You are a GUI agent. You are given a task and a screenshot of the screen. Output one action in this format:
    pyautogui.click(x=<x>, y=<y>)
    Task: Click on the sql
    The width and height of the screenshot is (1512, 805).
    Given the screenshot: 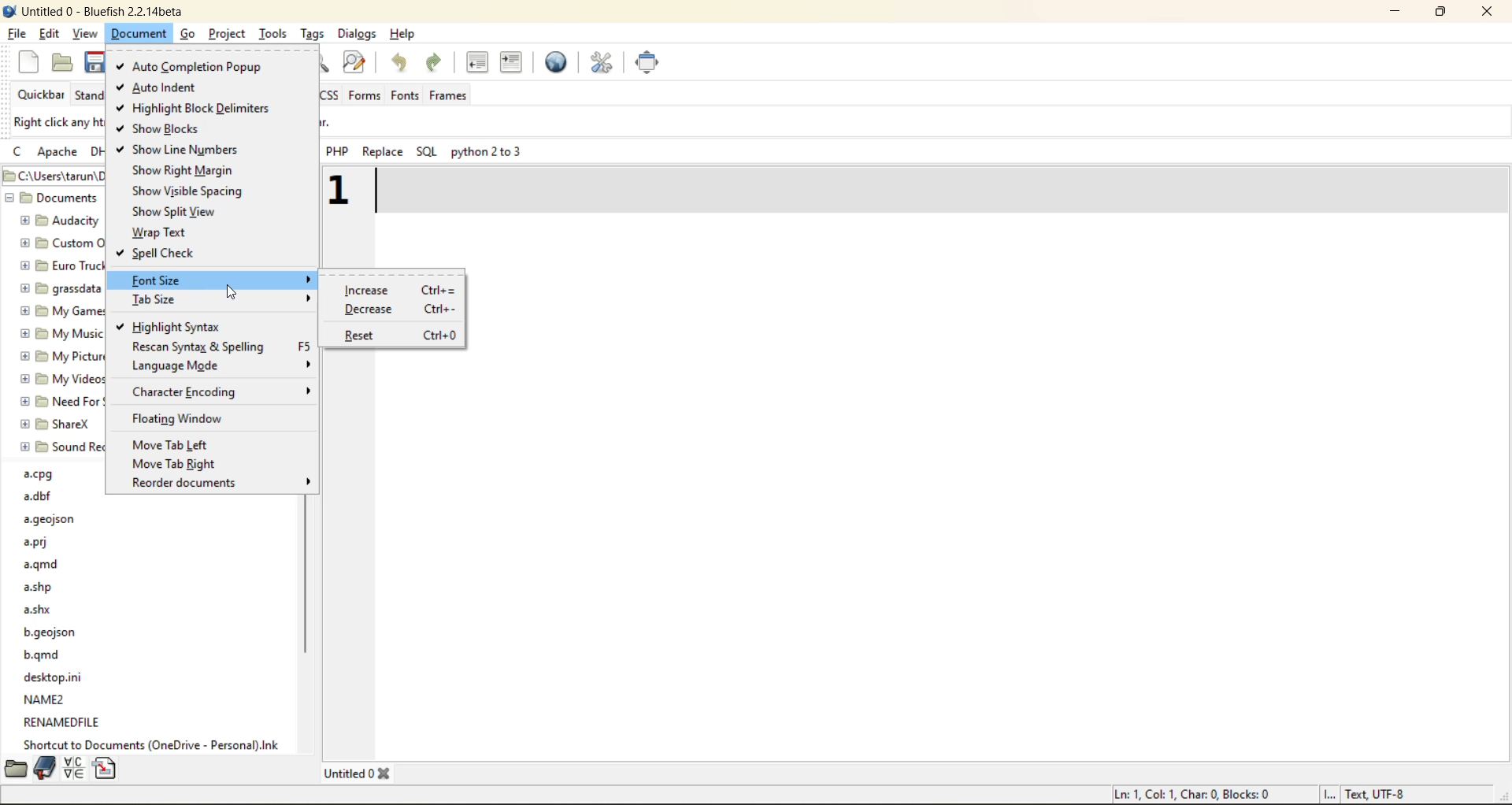 What is the action you would take?
    pyautogui.click(x=428, y=150)
    